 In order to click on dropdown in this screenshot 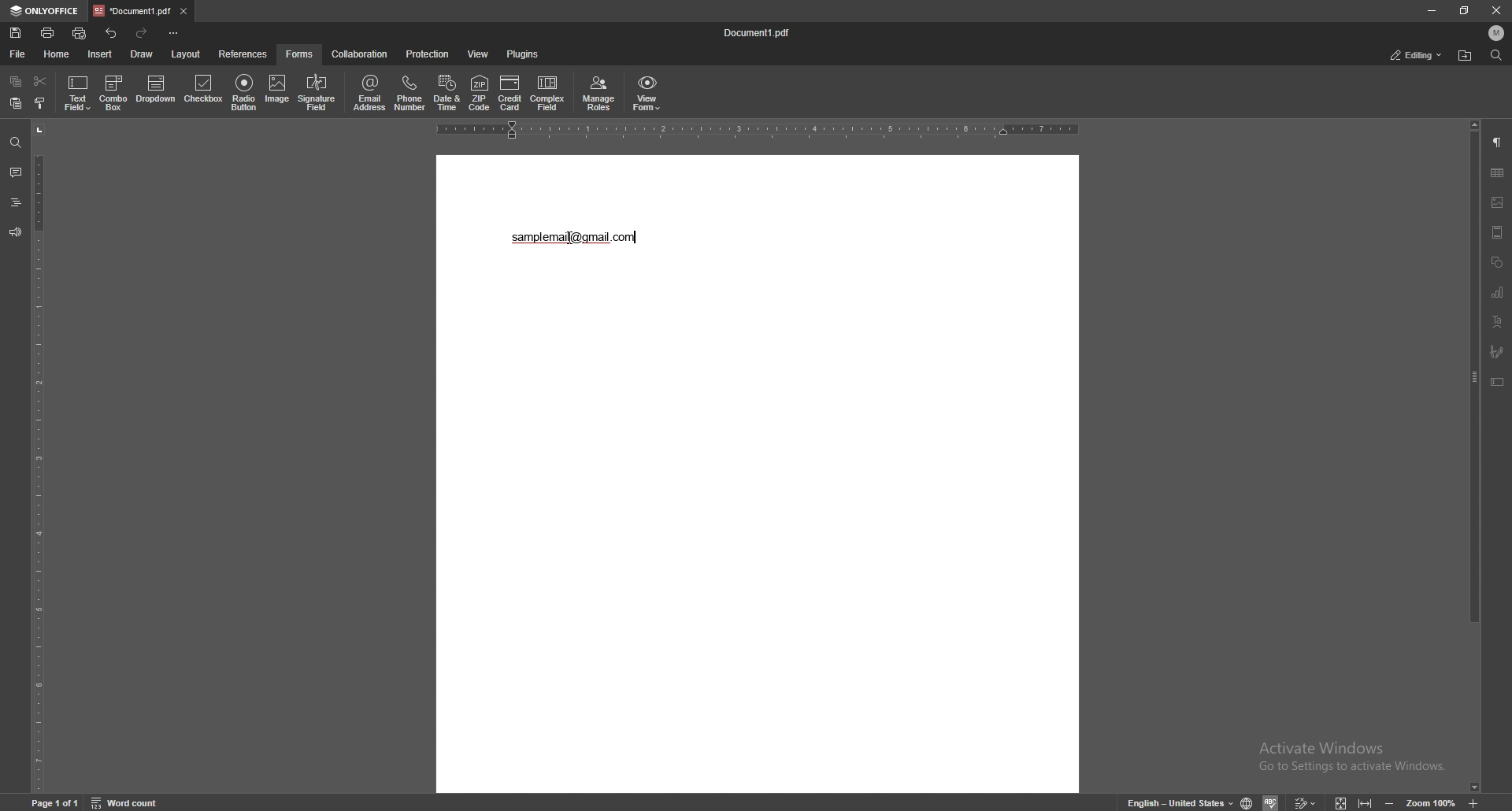, I will do `click(156, 91)`.